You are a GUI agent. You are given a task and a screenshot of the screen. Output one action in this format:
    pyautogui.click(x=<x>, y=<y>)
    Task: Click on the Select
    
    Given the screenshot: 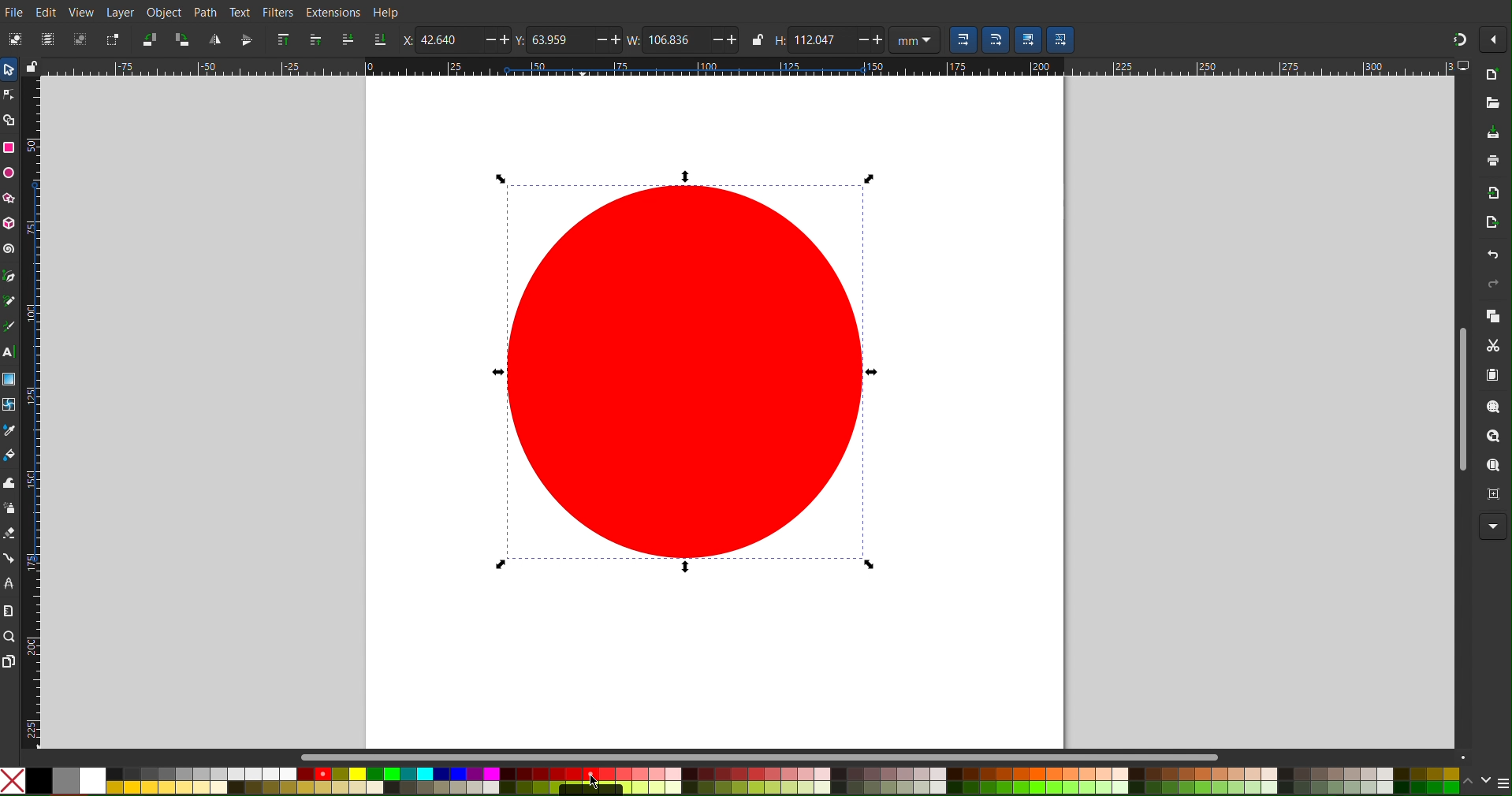 What is the action you would take?
    pyautogui.click(x=13, y=39)
    